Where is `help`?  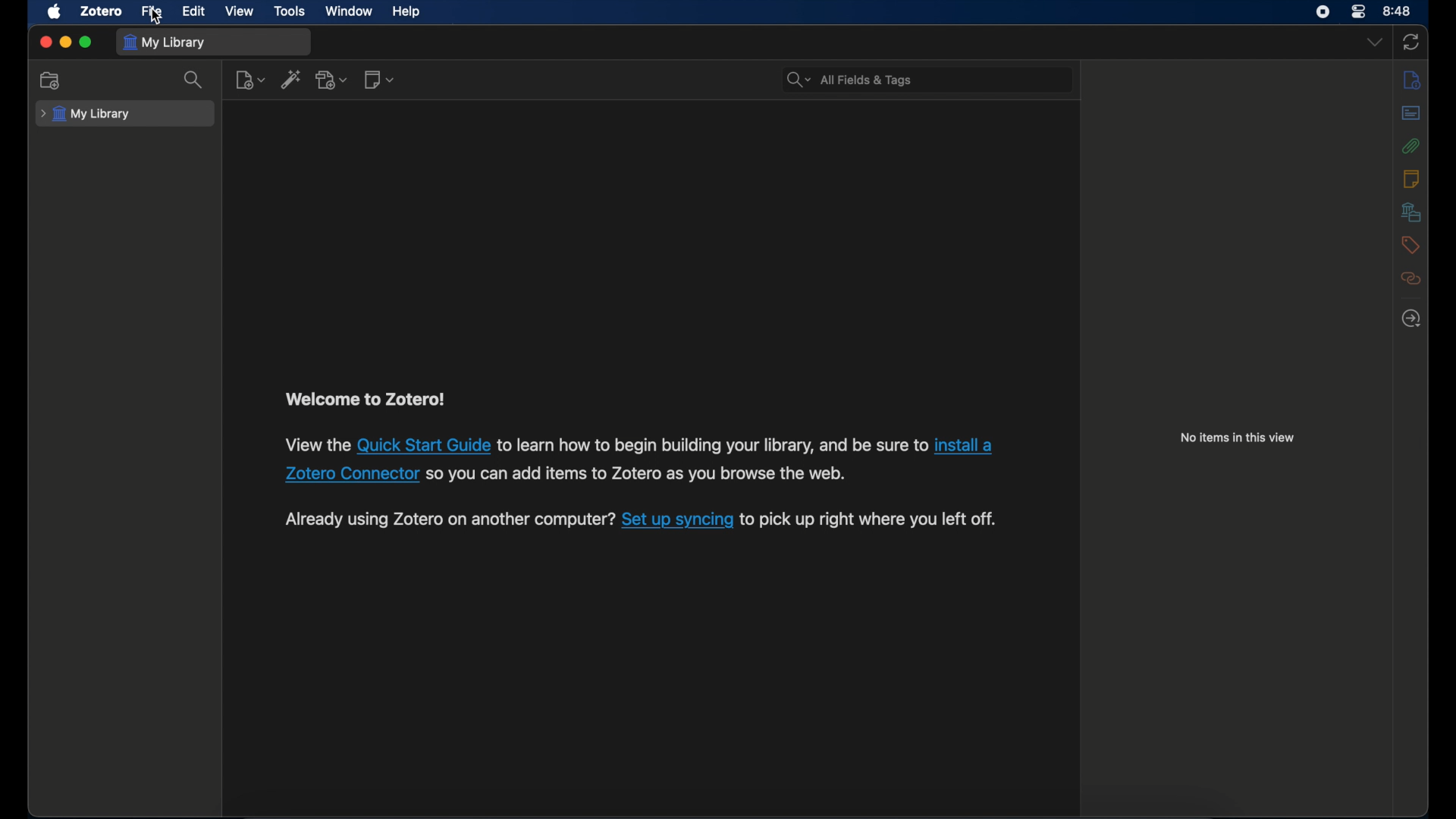
help is located at coordinates (408, 12).